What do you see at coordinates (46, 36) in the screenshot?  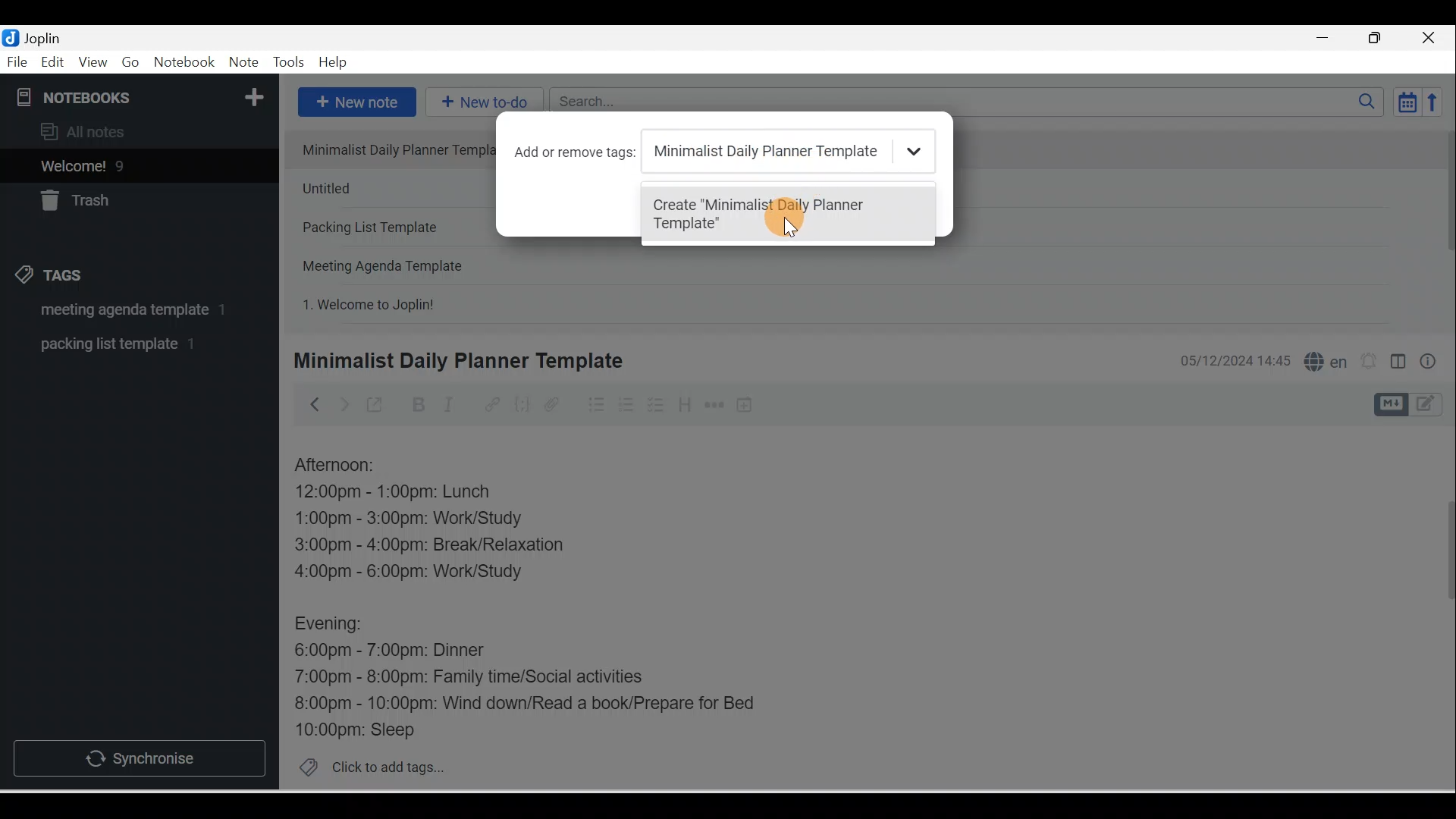 I see `Joplin` at bounding box center [46, 36].